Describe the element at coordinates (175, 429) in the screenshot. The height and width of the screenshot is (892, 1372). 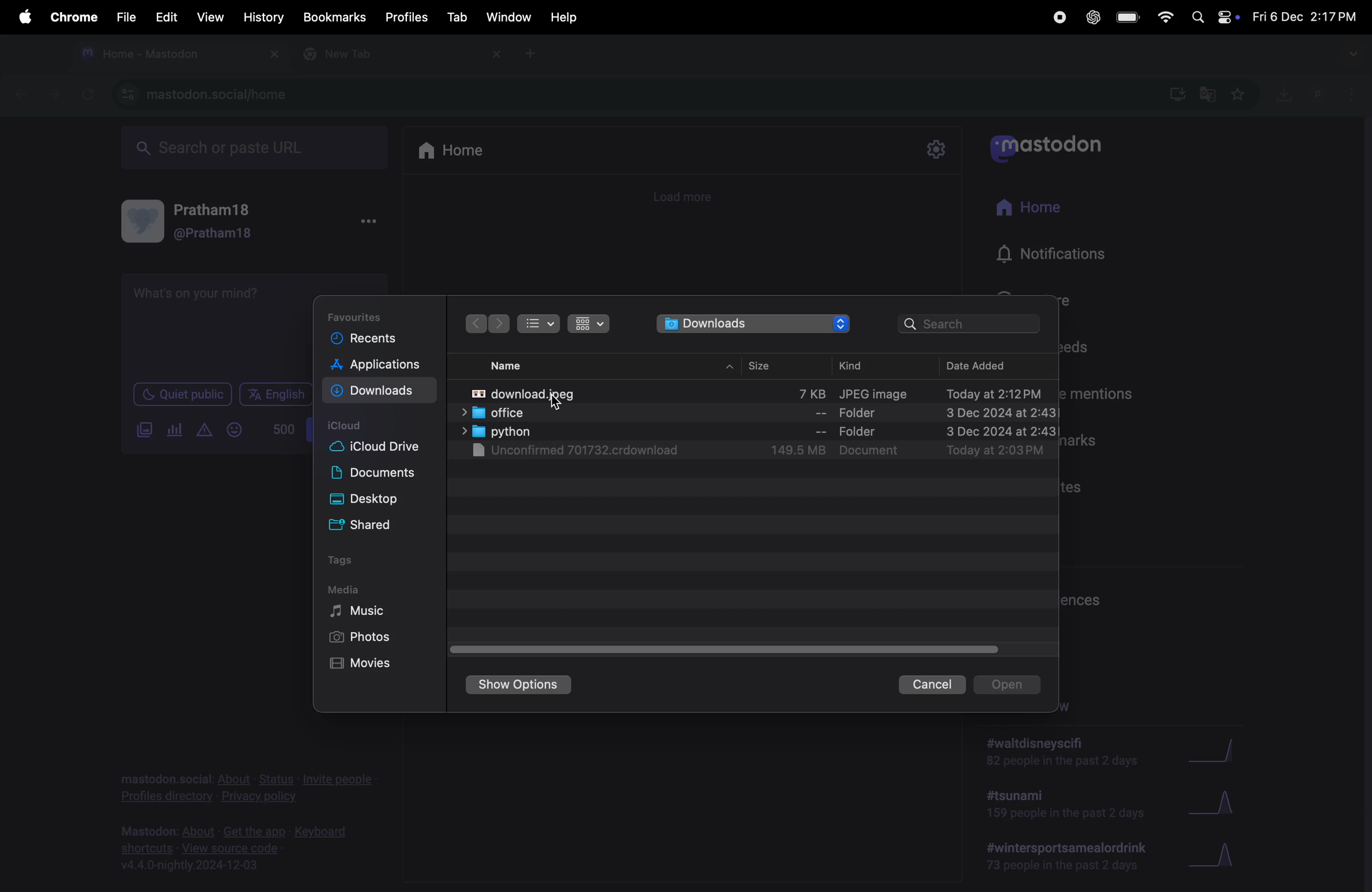
I see `pole` at that location.